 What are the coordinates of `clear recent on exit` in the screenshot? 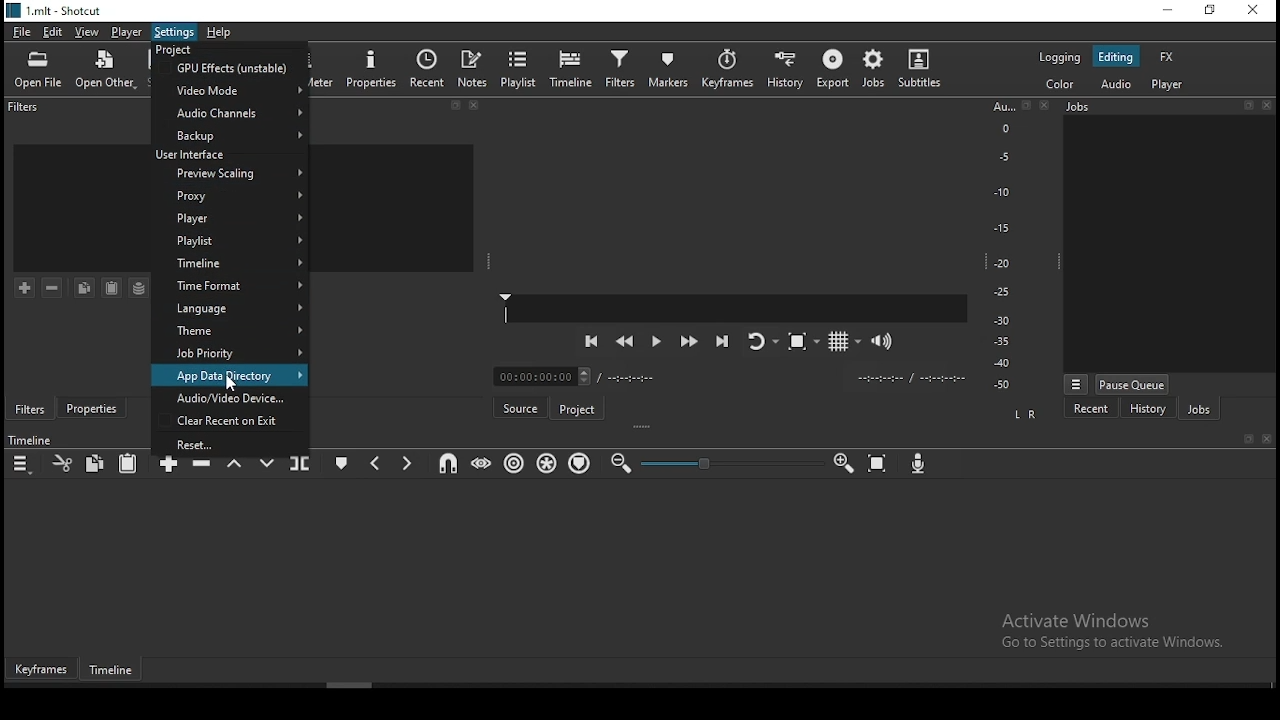 It's located at (228, 420).